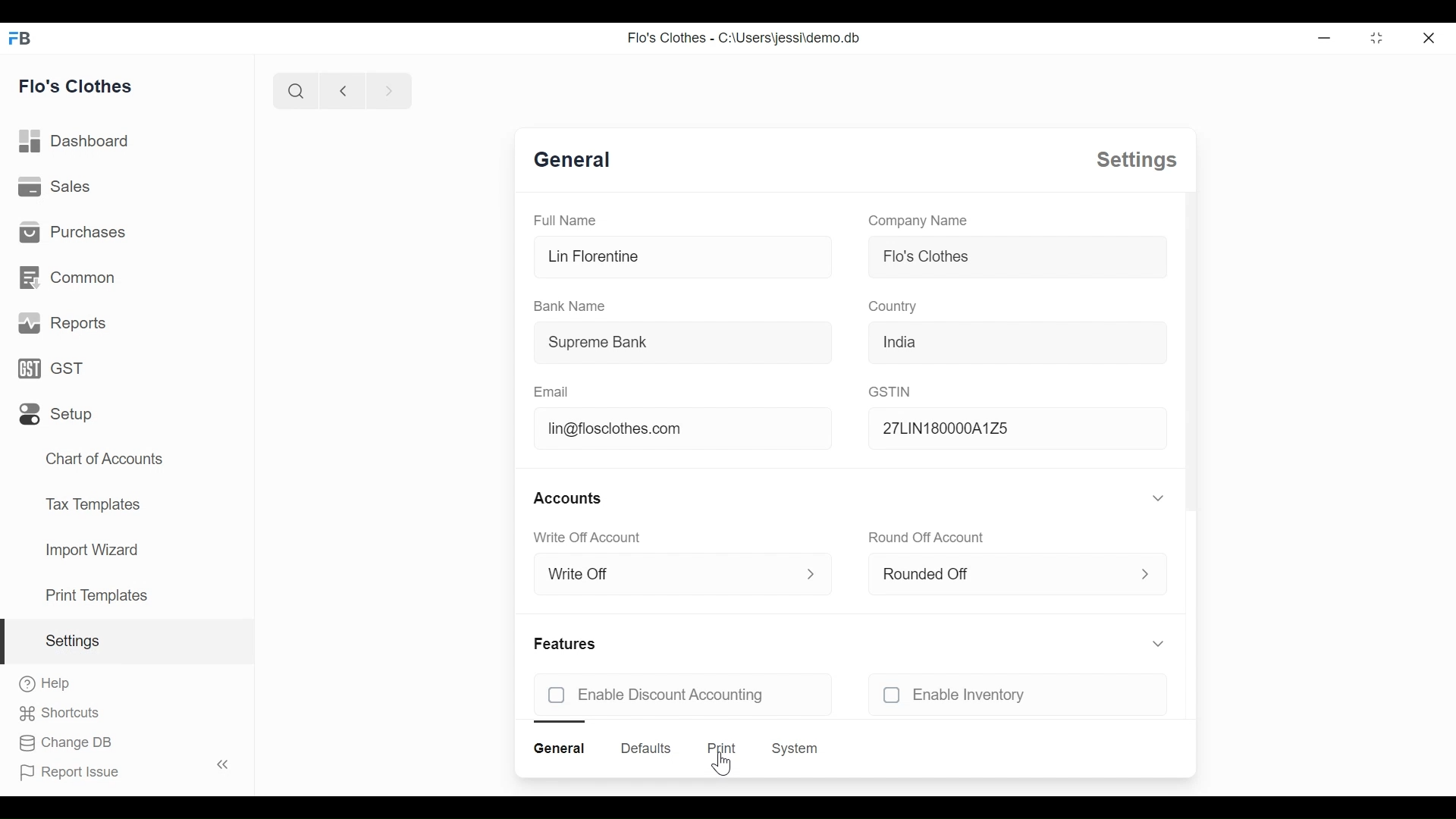  Describe the element at coordinates (795, 748) in the screenshot. I see `system` at that location.